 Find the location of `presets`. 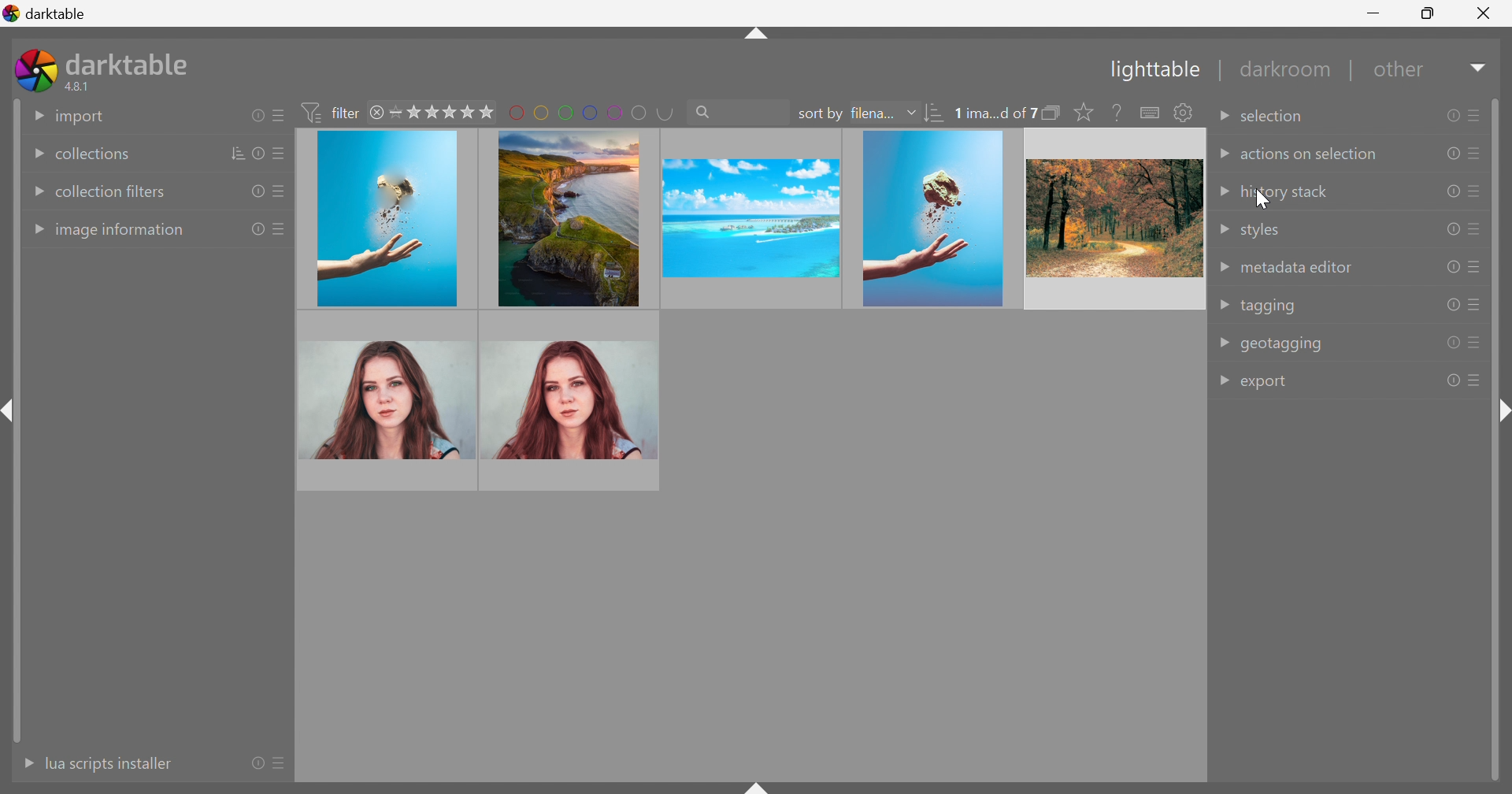

presets is located at coordinates (1480, 343).